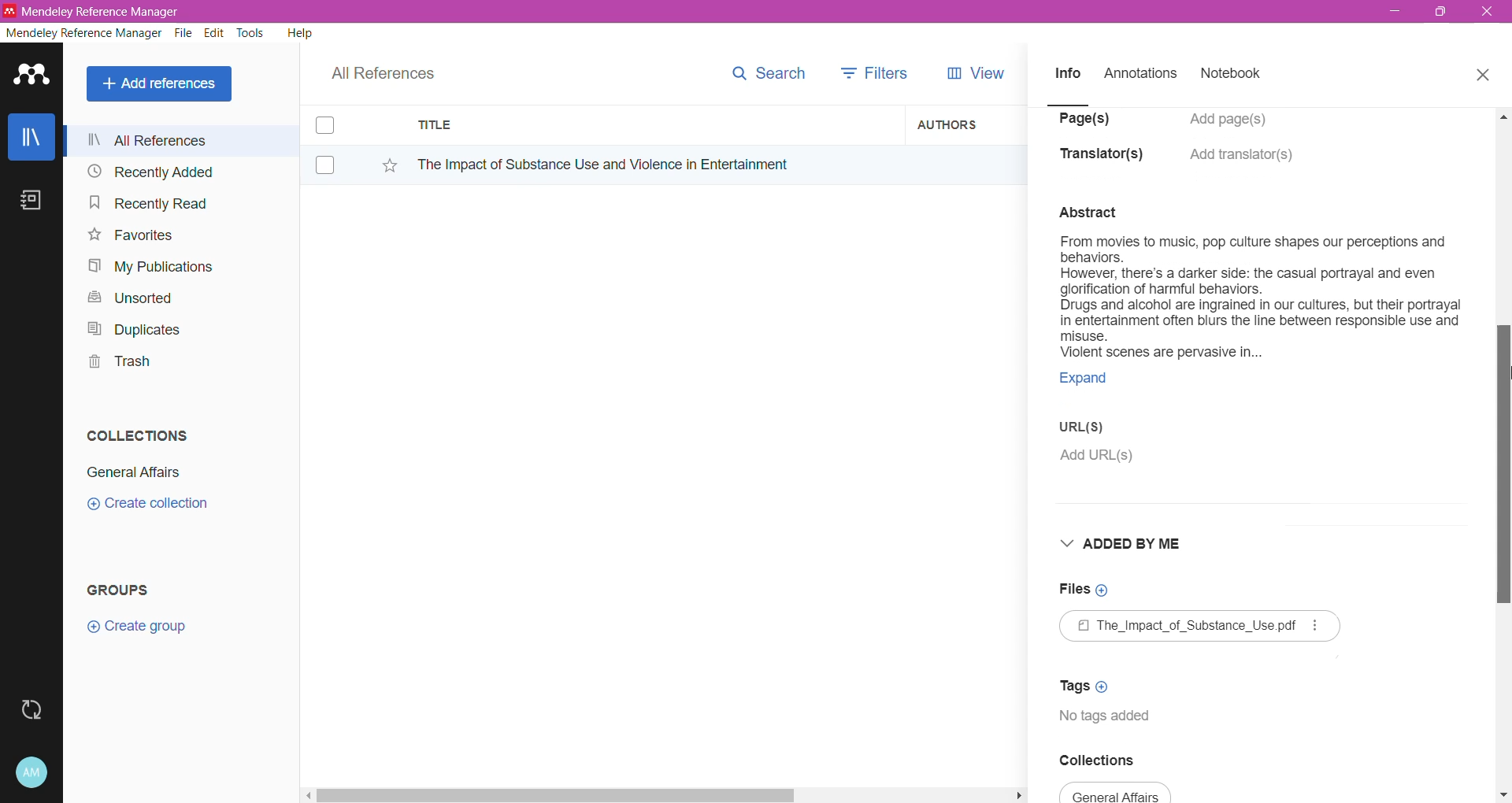 This screenshot has width=1512, height=803. What do you see at coordinates (871, 73) in the screenshot?
I see `Filters` at bounding box center [871, 73].